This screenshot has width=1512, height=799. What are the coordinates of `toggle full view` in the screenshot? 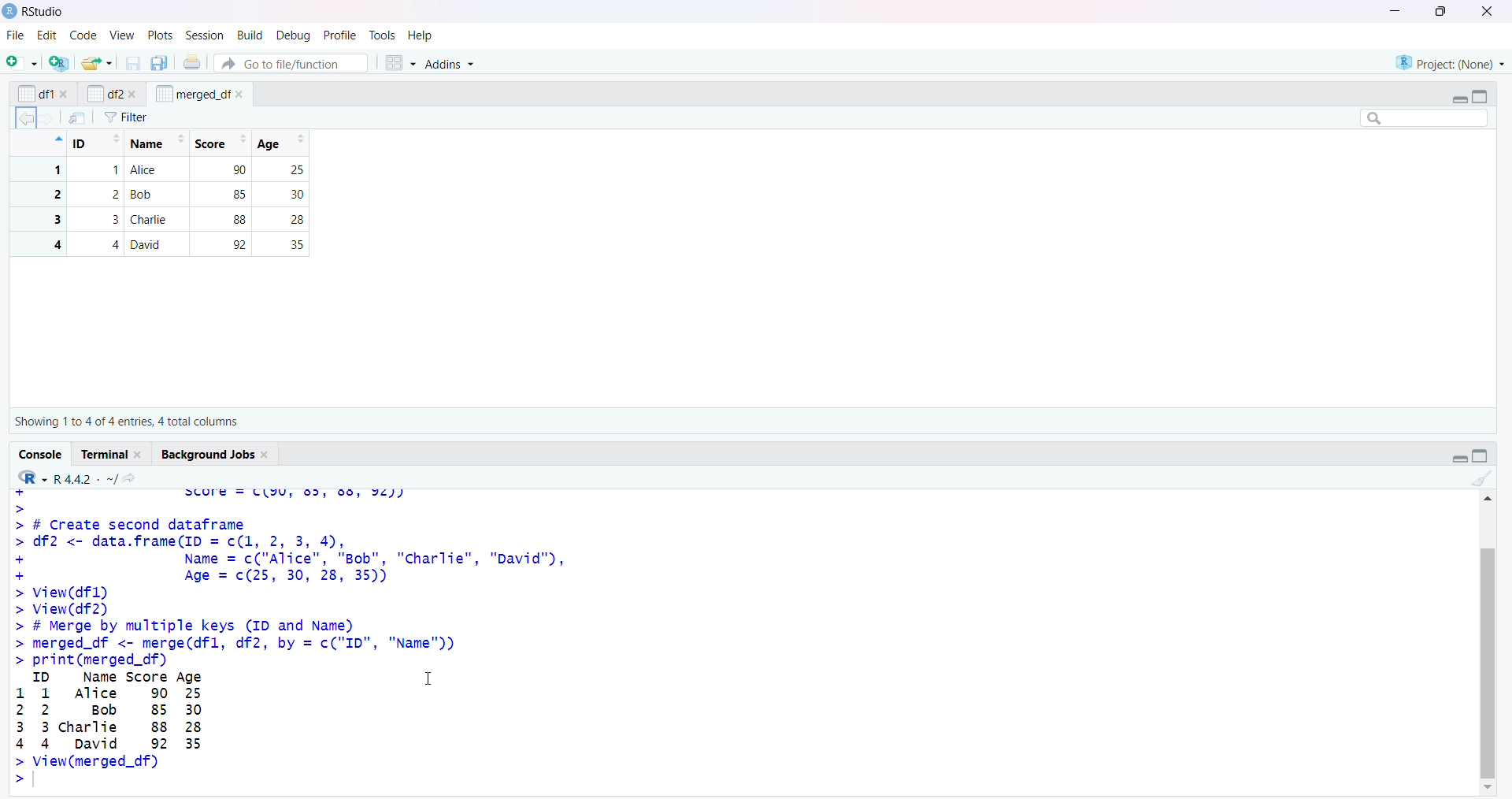 It's located at (1479, 97).